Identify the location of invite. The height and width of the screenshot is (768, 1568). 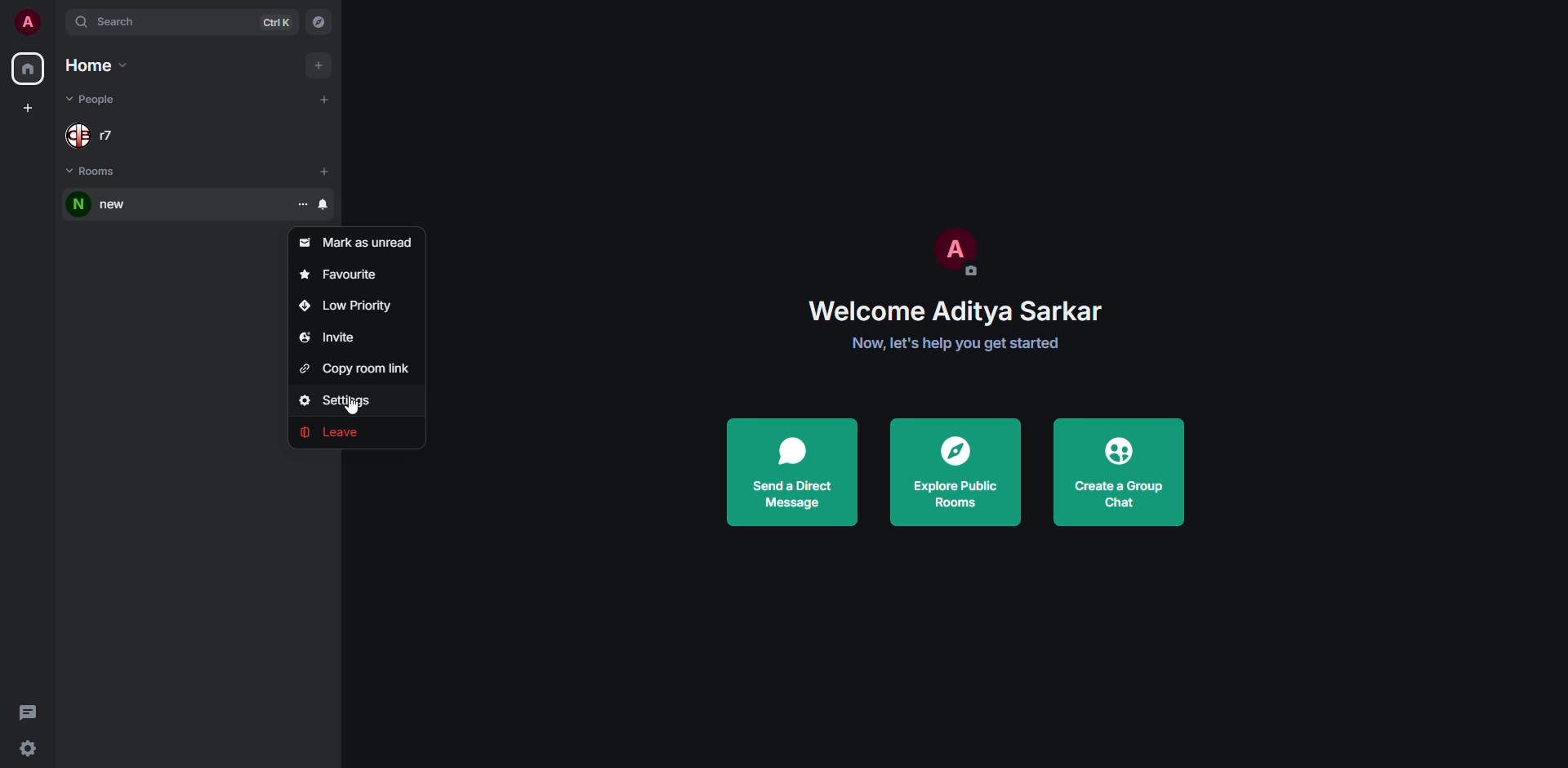
(328, 335).